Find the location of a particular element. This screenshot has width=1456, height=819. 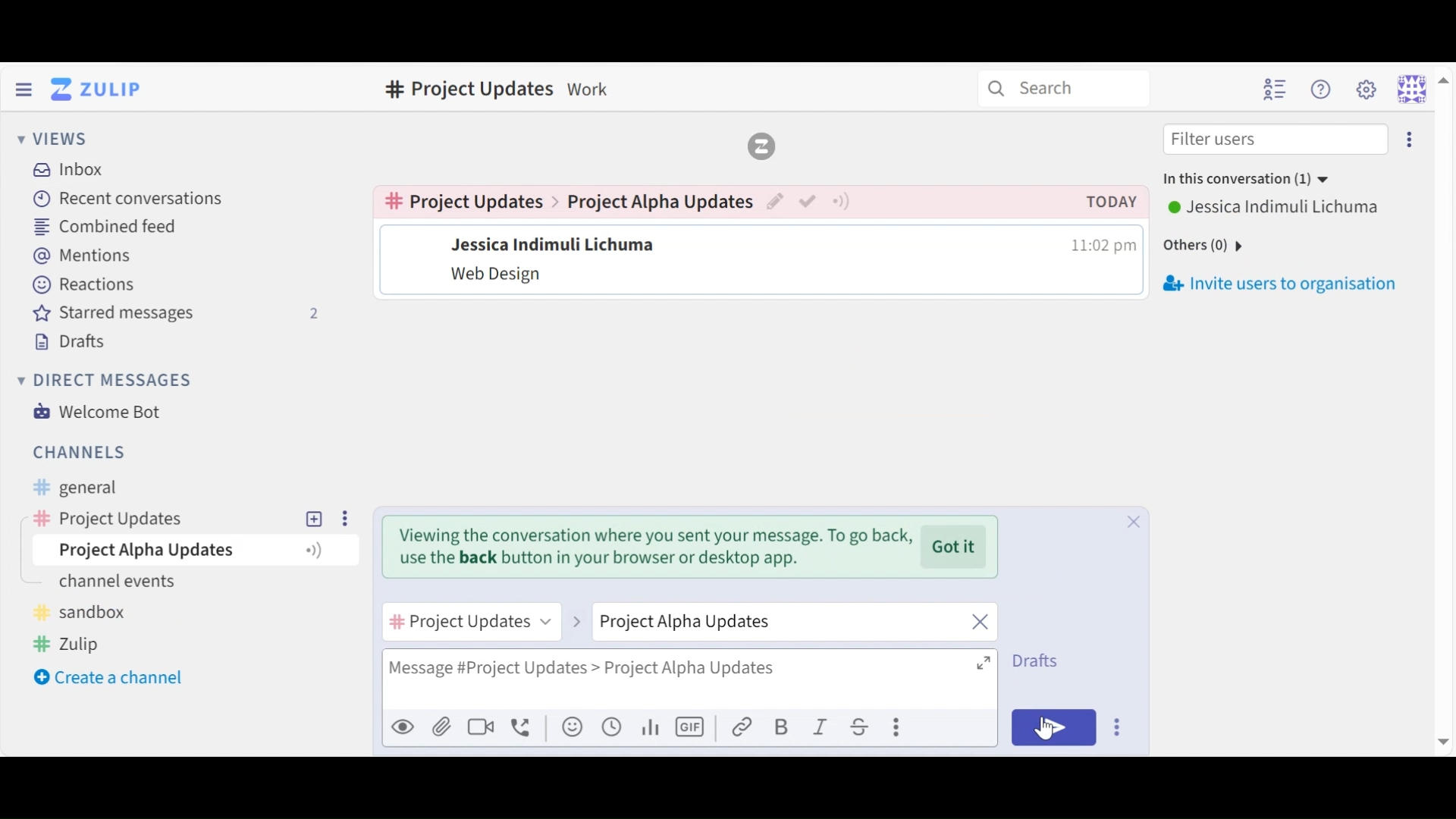

View User Card is located at coordinates (551, 243).